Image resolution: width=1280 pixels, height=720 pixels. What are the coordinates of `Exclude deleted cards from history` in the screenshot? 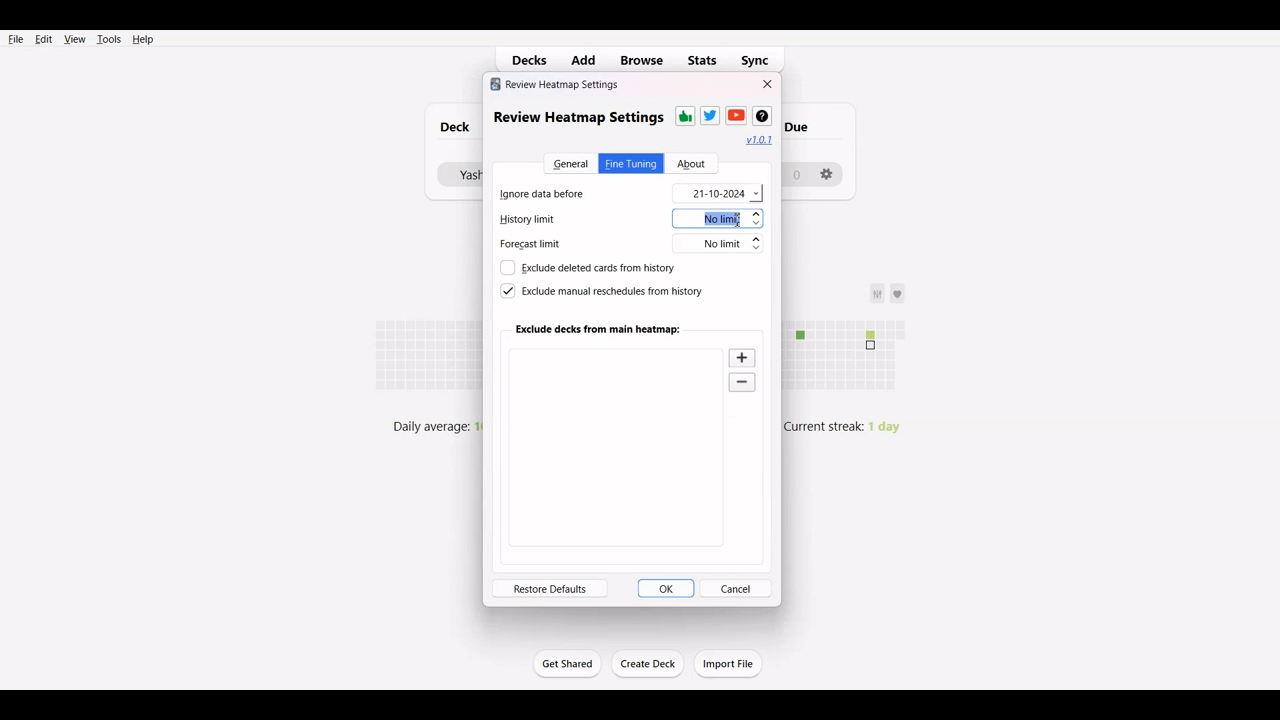 It's located at (587, 268).